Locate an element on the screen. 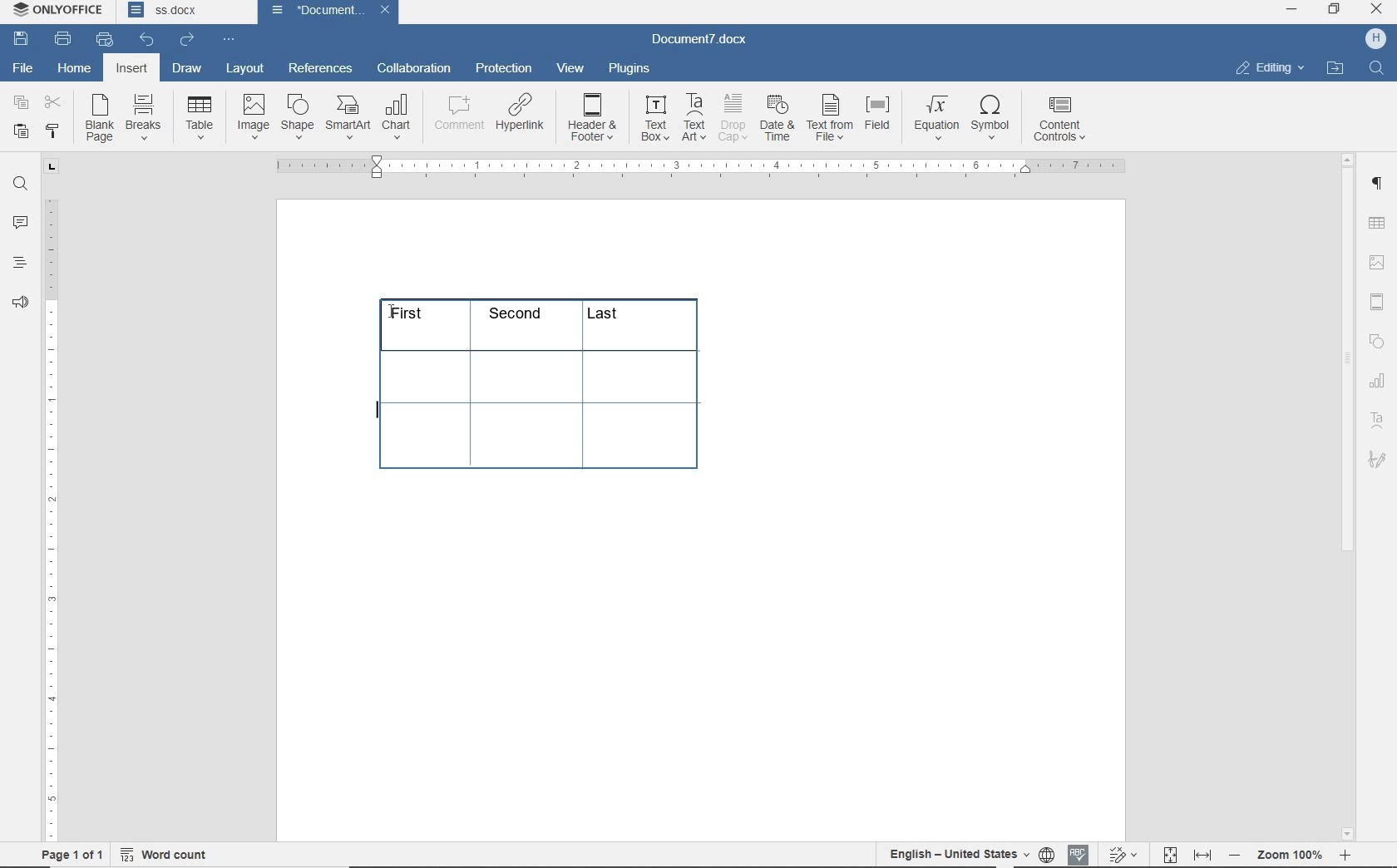 The width and height of the screenshot is (1397, 868). references is located at coordinates (320, 66).